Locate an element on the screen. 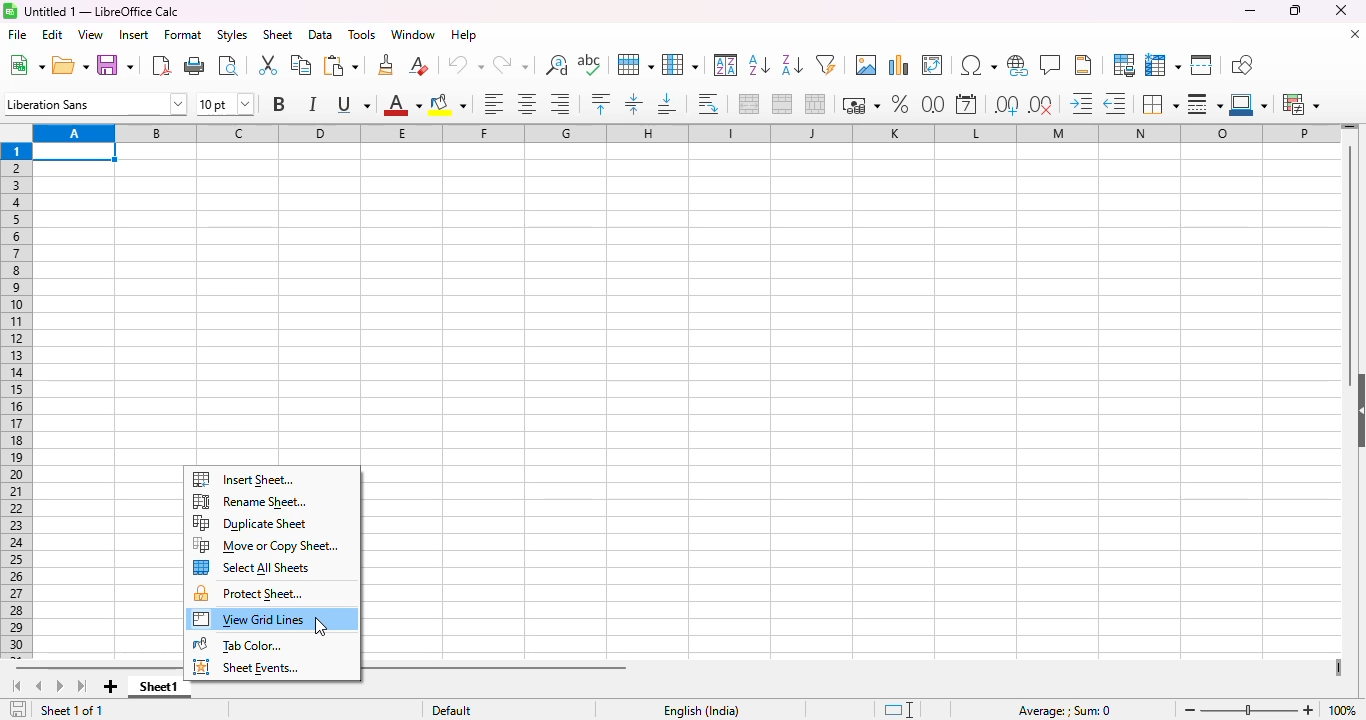 This screenshot has width=1366, height=720. row is located at coordinates (636, 64).